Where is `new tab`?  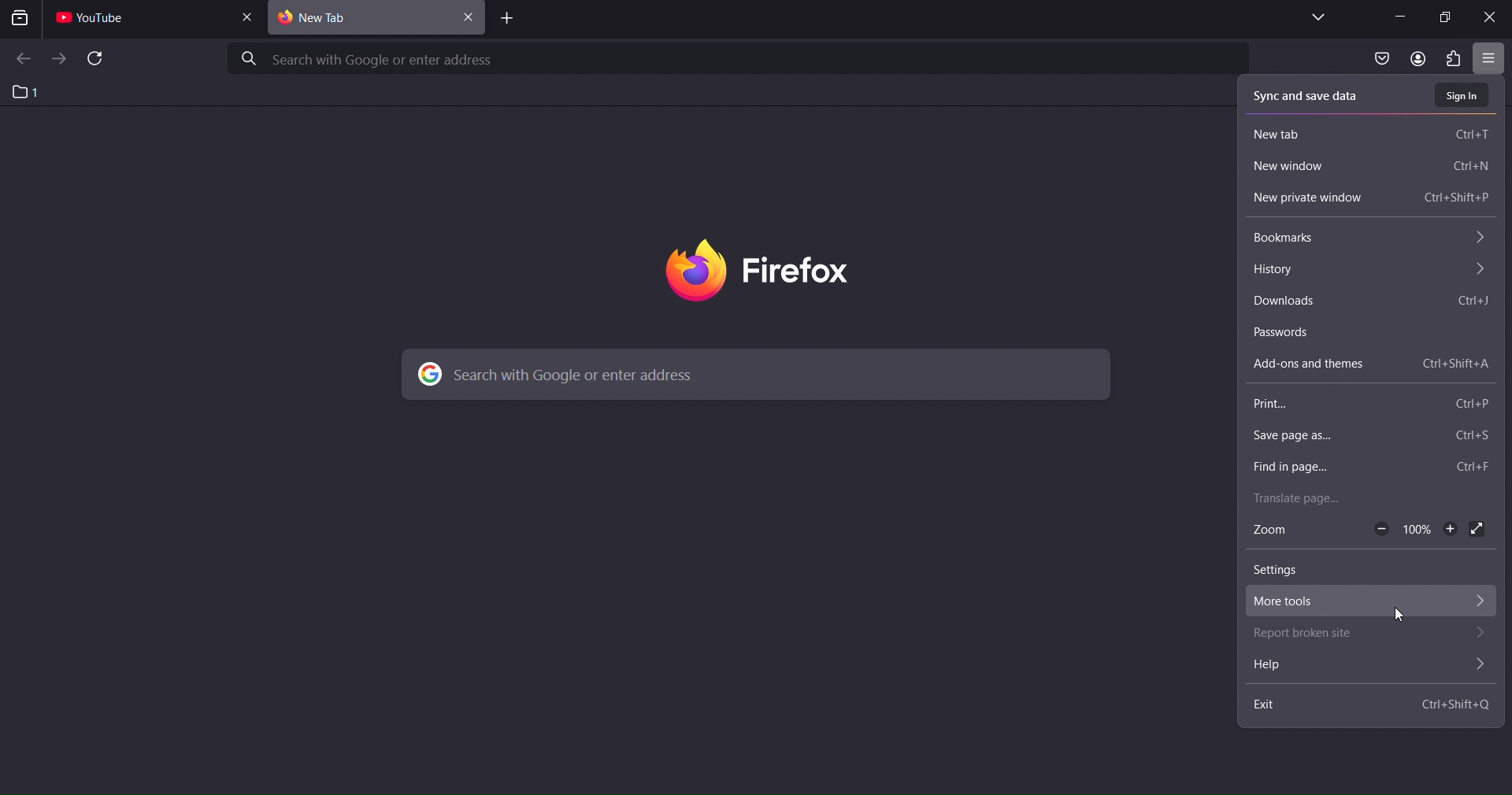 new tab is located at coordinates (503, 20).